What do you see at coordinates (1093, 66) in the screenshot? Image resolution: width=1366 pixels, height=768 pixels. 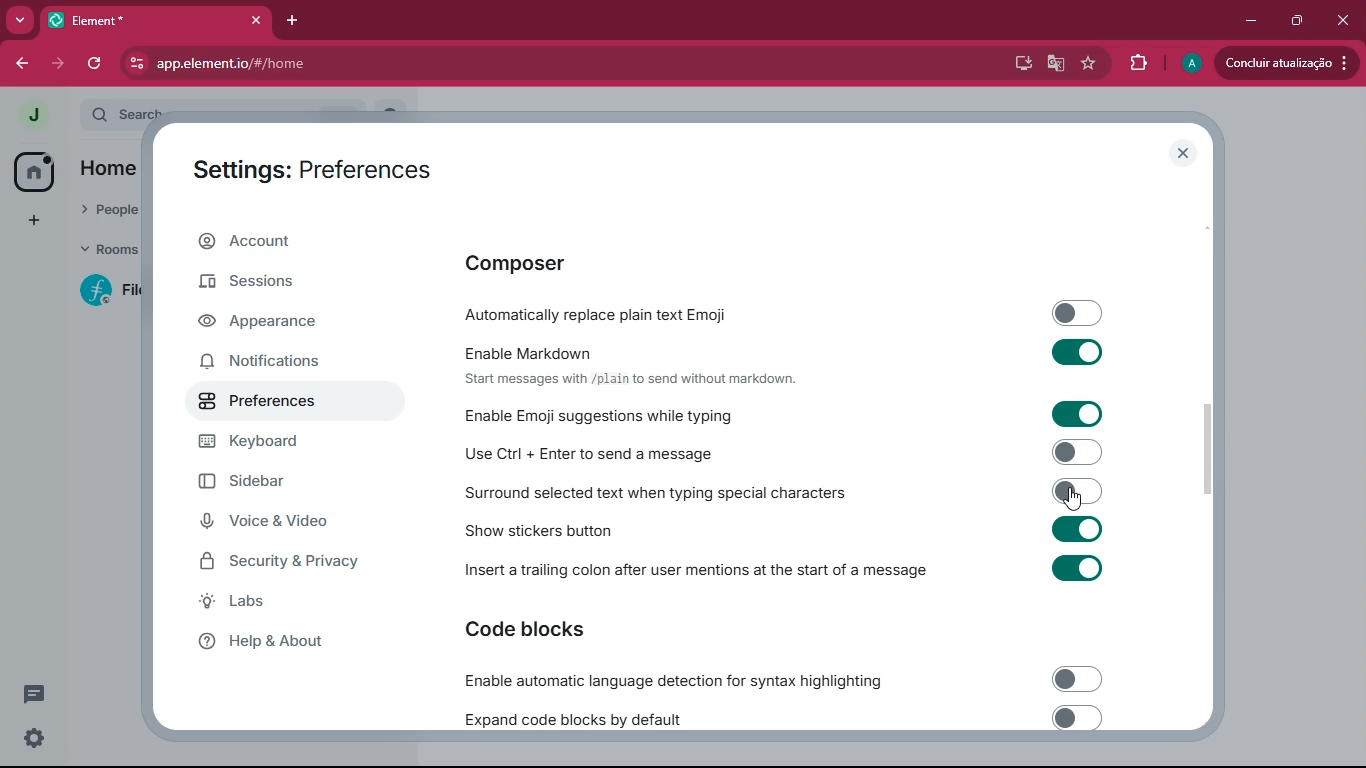 I see `favourite` at bounding box center [1093, 66].